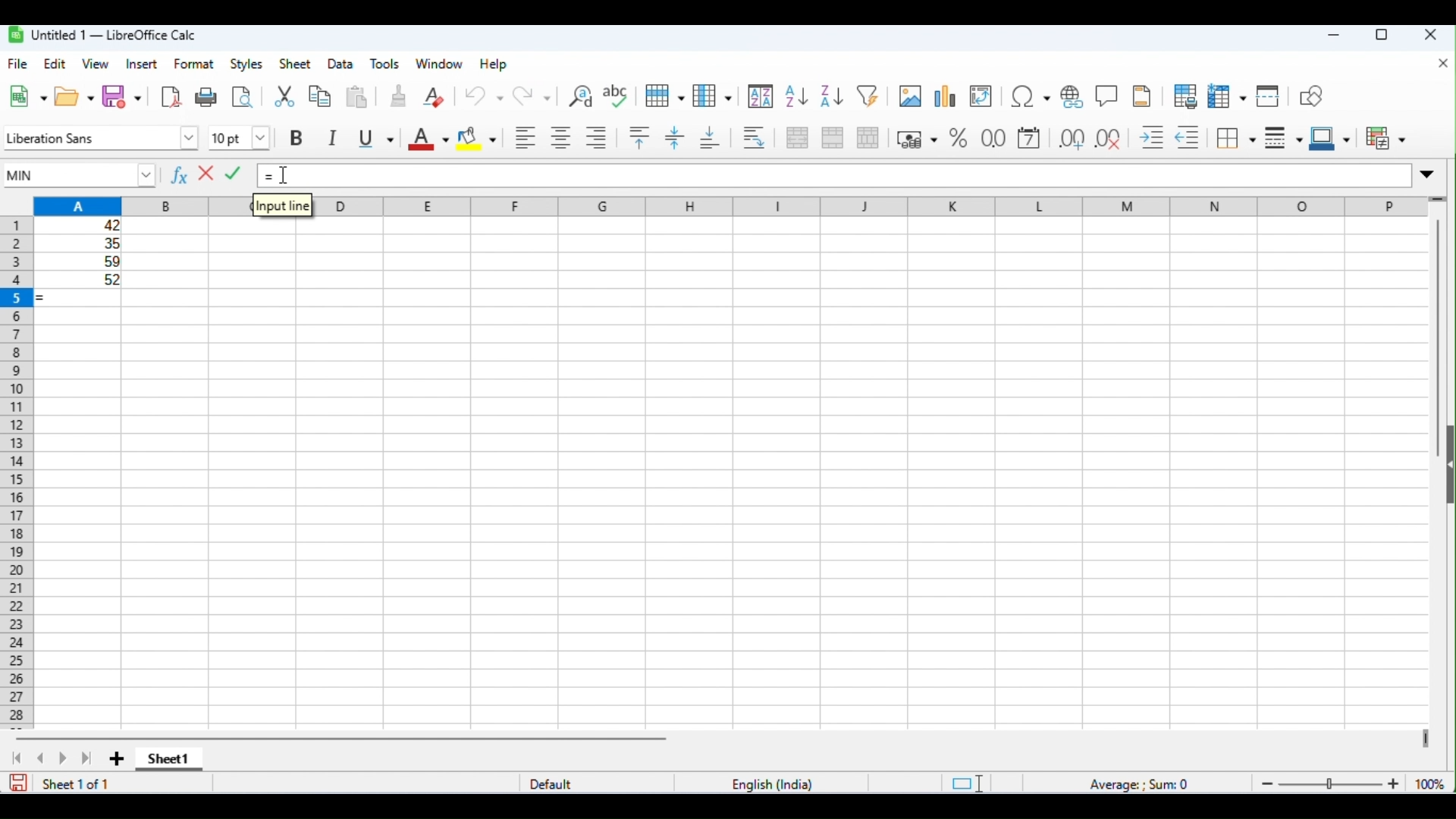 The height and width of the screenshot is (819, 1456). I want to click on format, so click(194, 64).